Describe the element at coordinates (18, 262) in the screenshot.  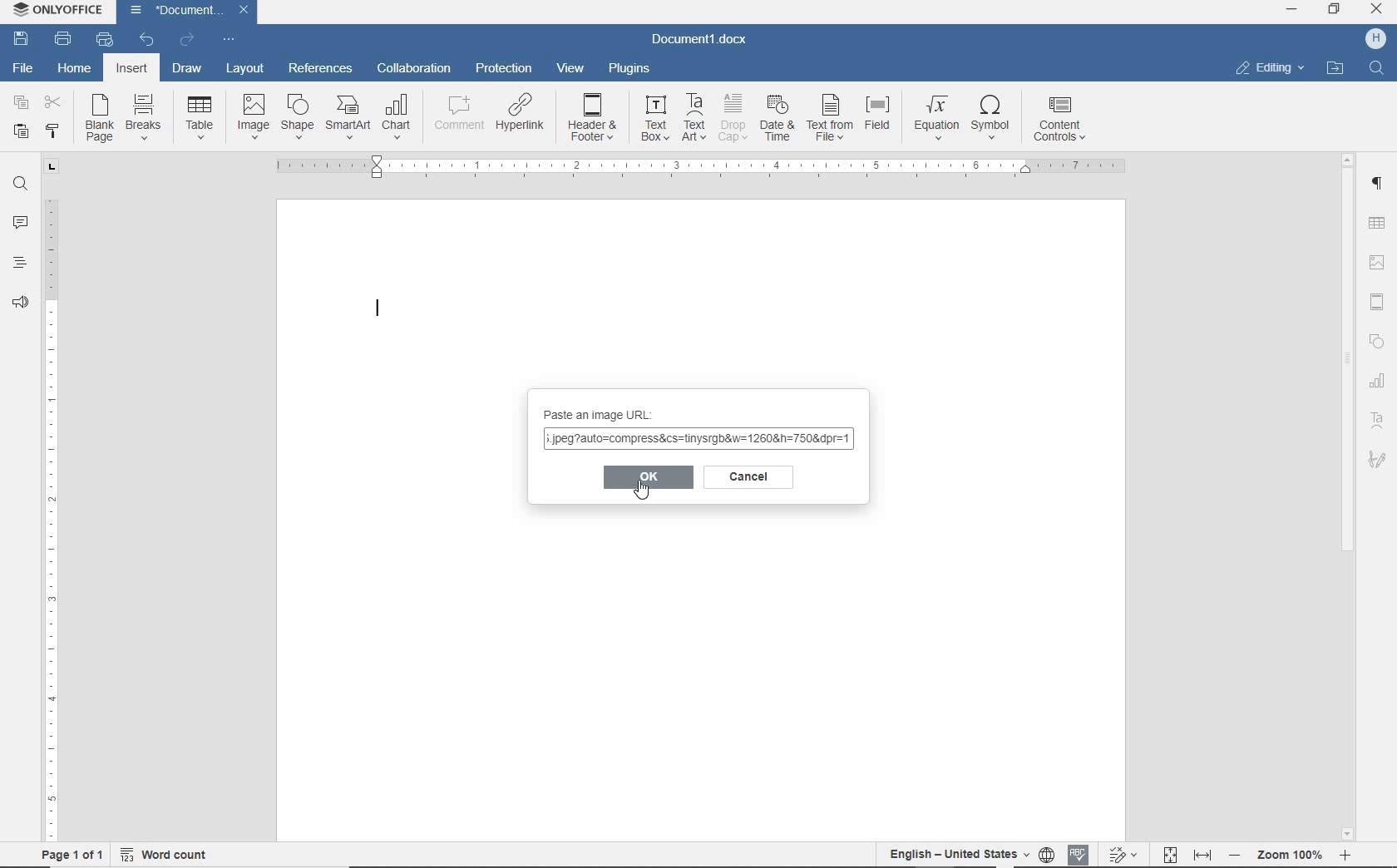
I see `headings` at that location.